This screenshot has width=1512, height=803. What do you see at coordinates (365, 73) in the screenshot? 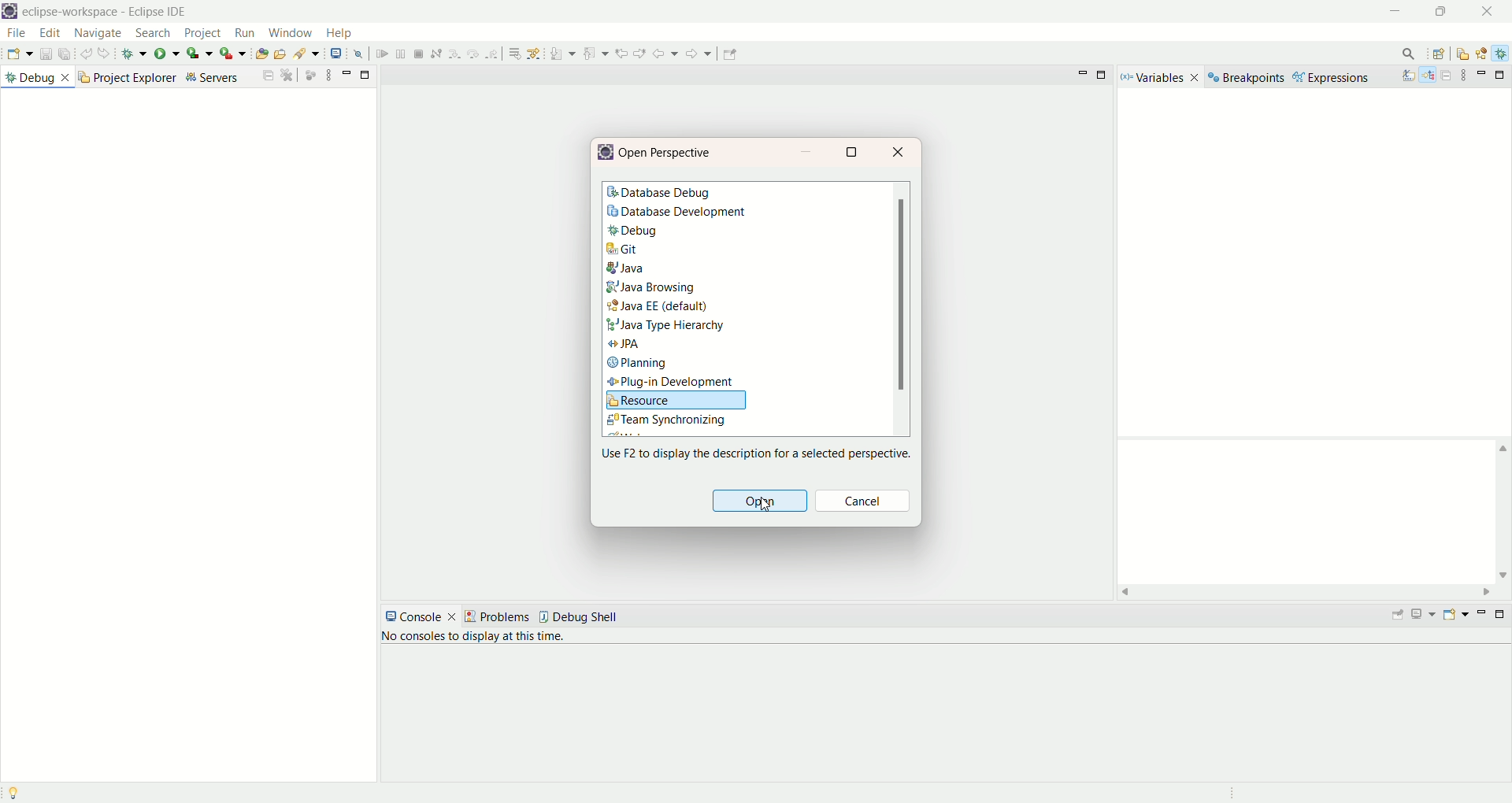
I see `maximize` at bounding box center [365, 73].